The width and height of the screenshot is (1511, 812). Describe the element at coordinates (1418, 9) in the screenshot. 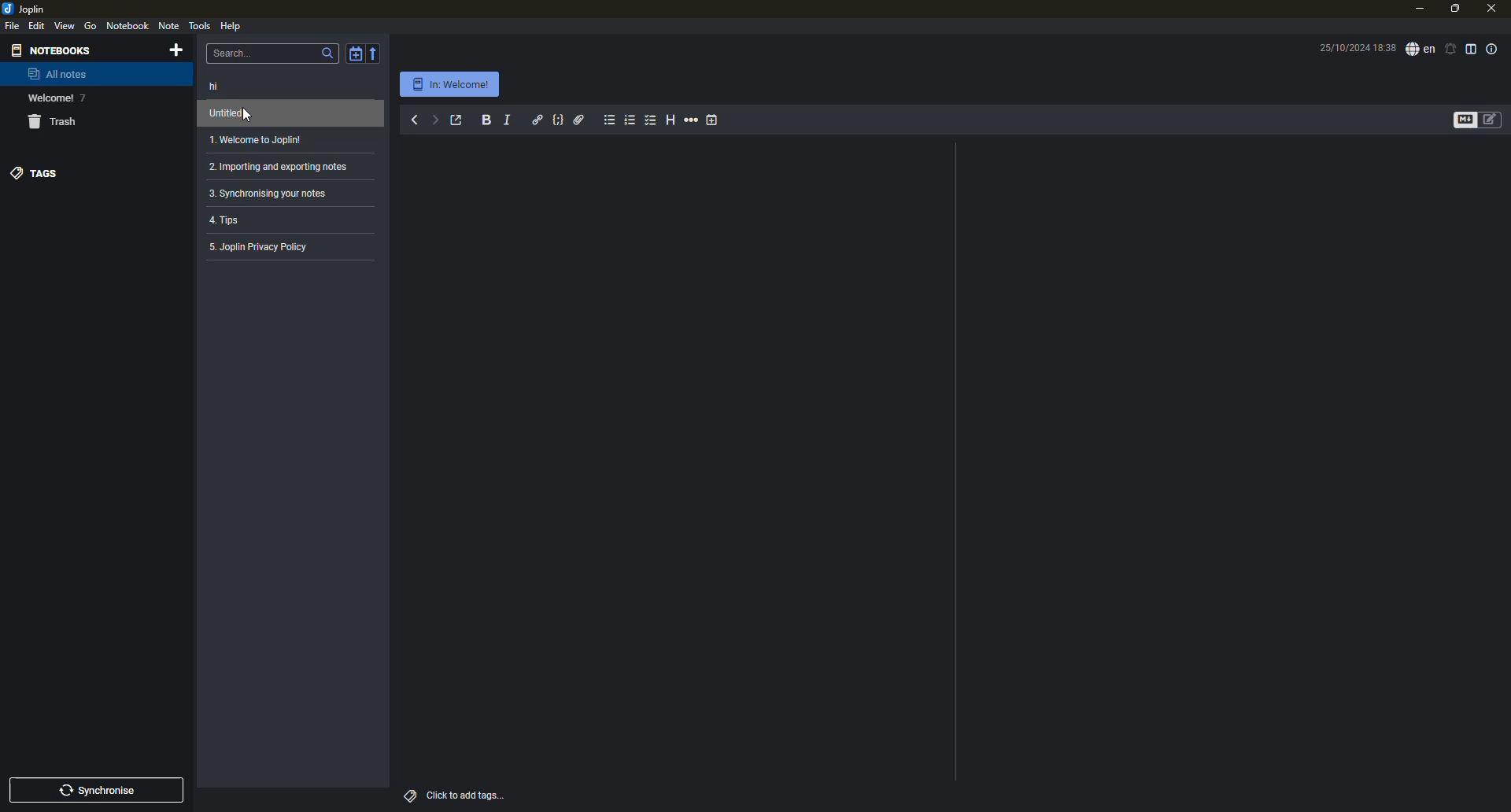

I see `minimize` at that location.